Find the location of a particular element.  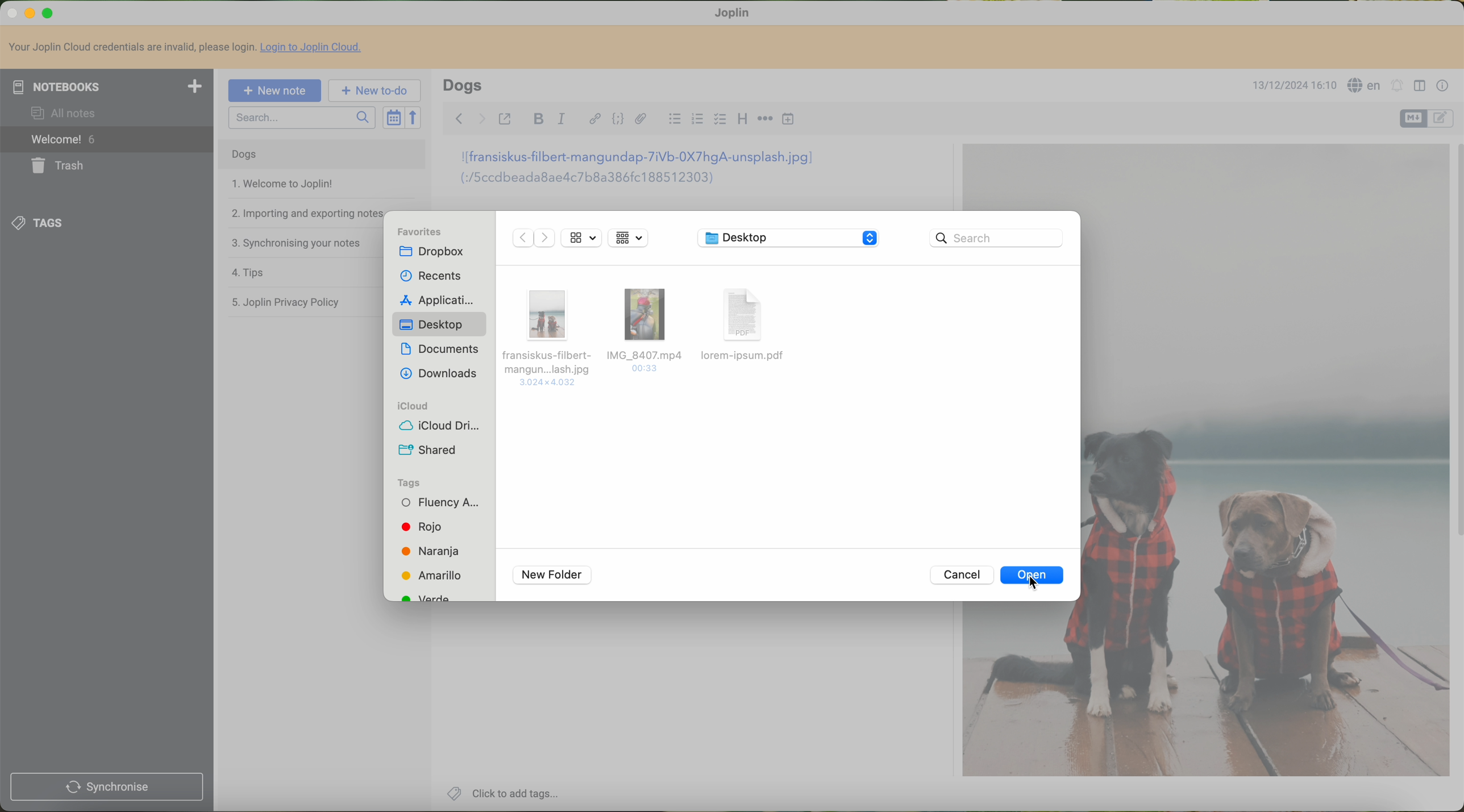

yellow tag is located at coordinates (430, 577).